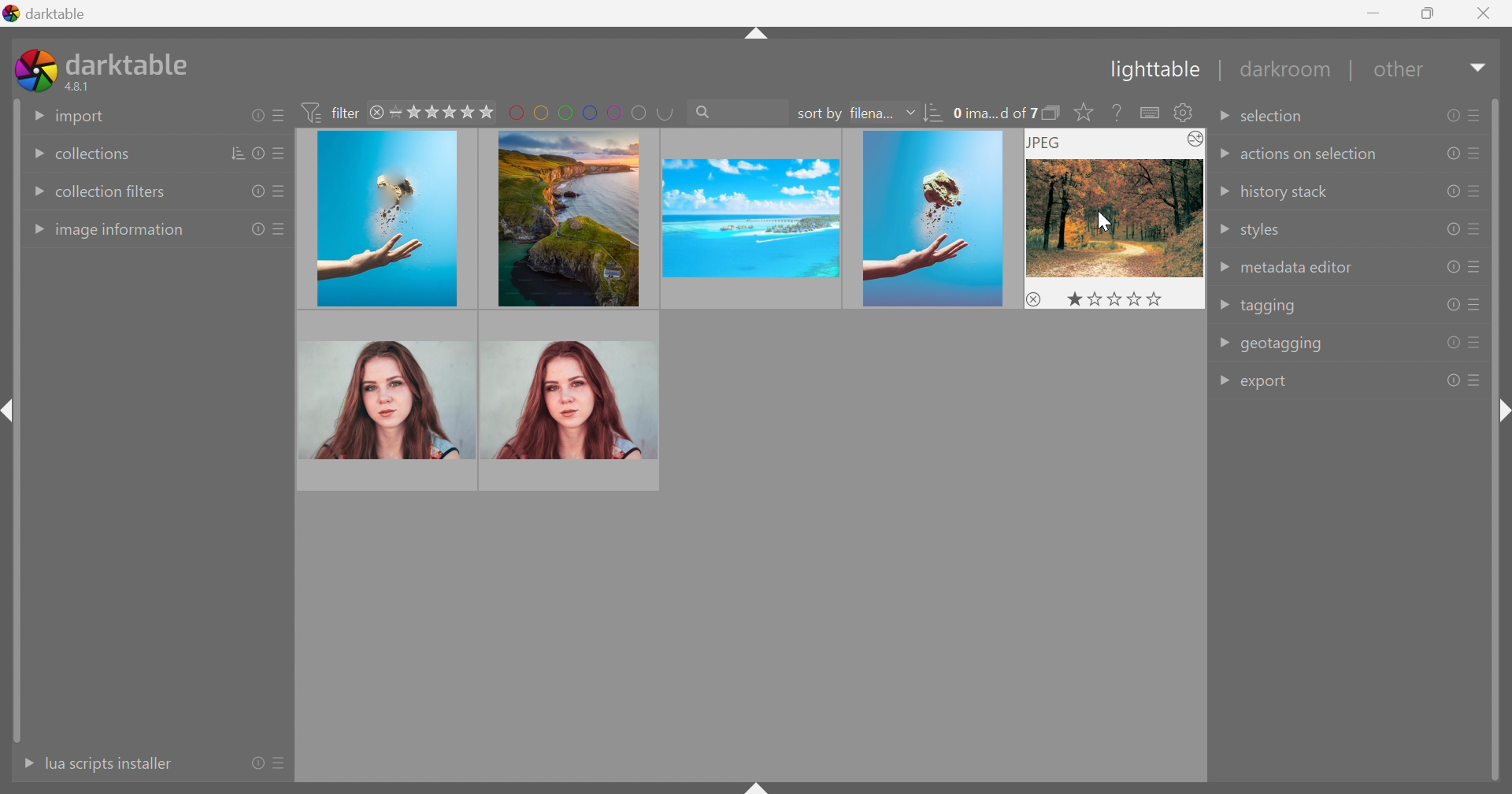  I want to click on shift+ctrl+r, so click(1501, 414).